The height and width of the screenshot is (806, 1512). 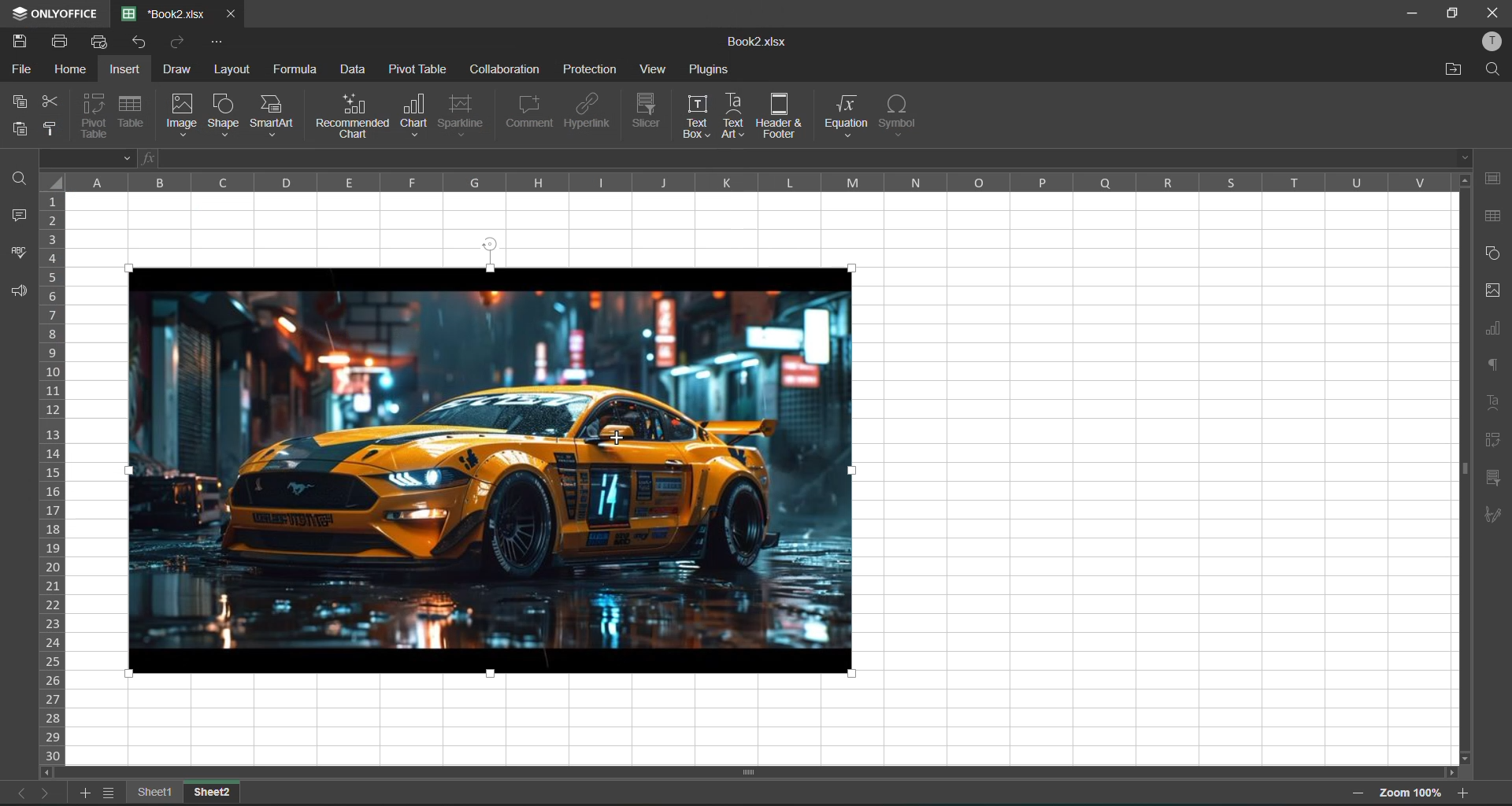 I want to click on layout, so click(x=232, y=70).